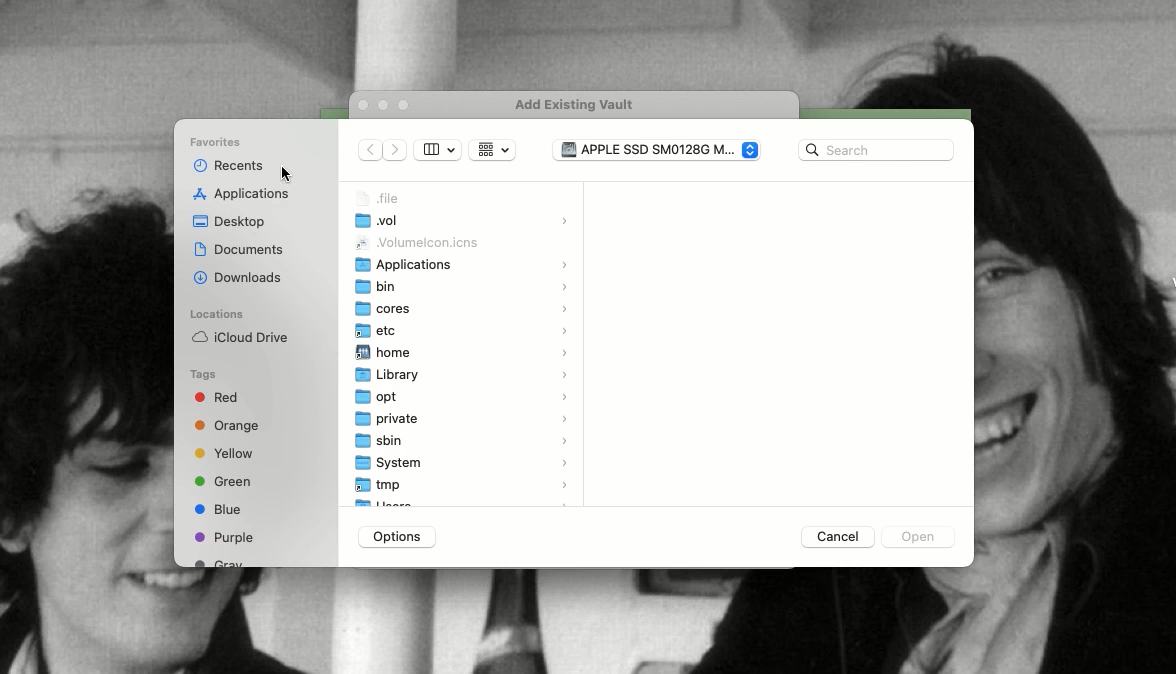 The width and height of the screenshot is (1176, 674). Describe the element at coordinates (462, 375) in the screenshot. I see `Library` at that location.